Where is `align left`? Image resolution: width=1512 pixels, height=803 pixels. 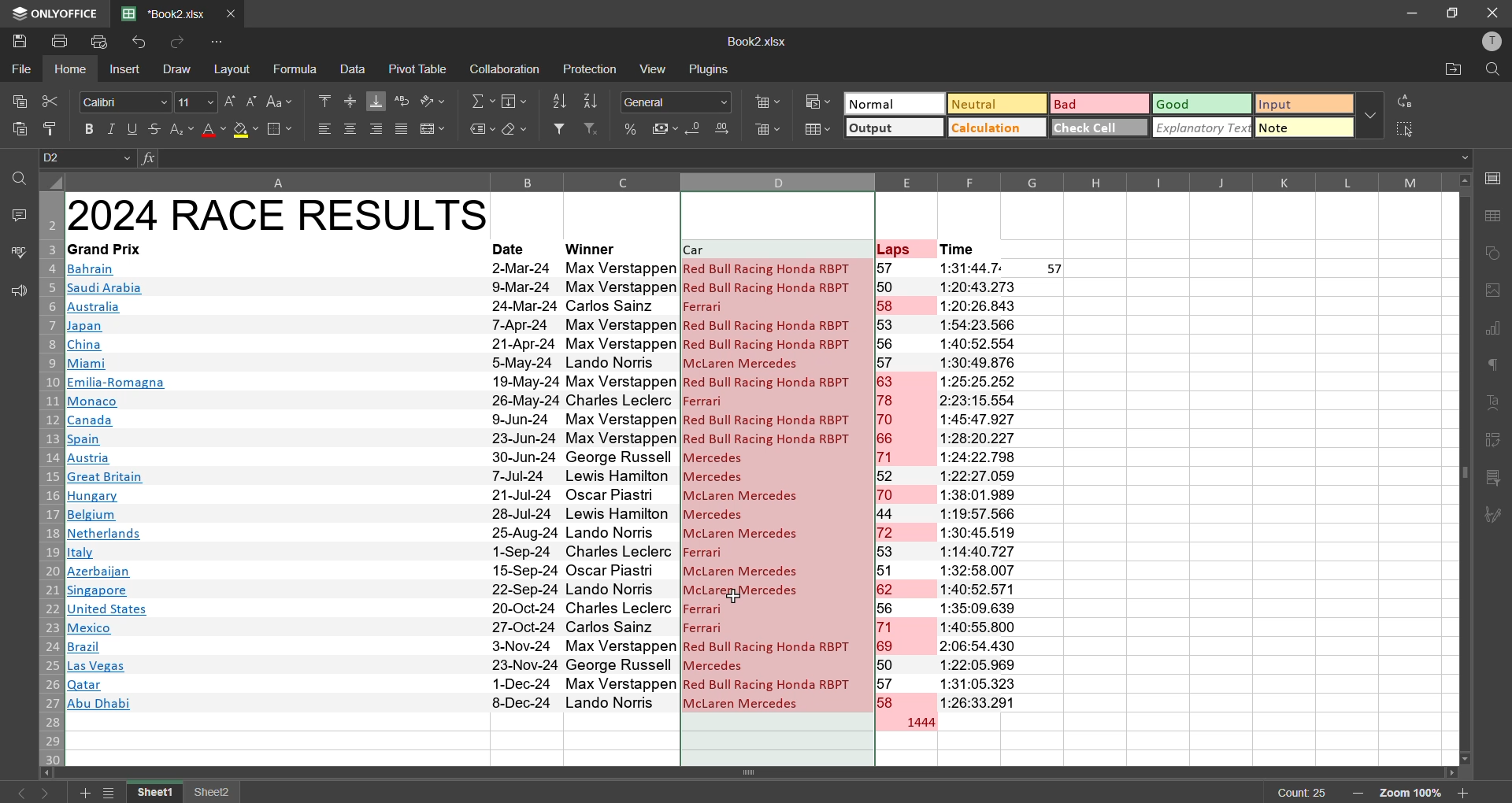
align left is located at coordinates (324, 128).